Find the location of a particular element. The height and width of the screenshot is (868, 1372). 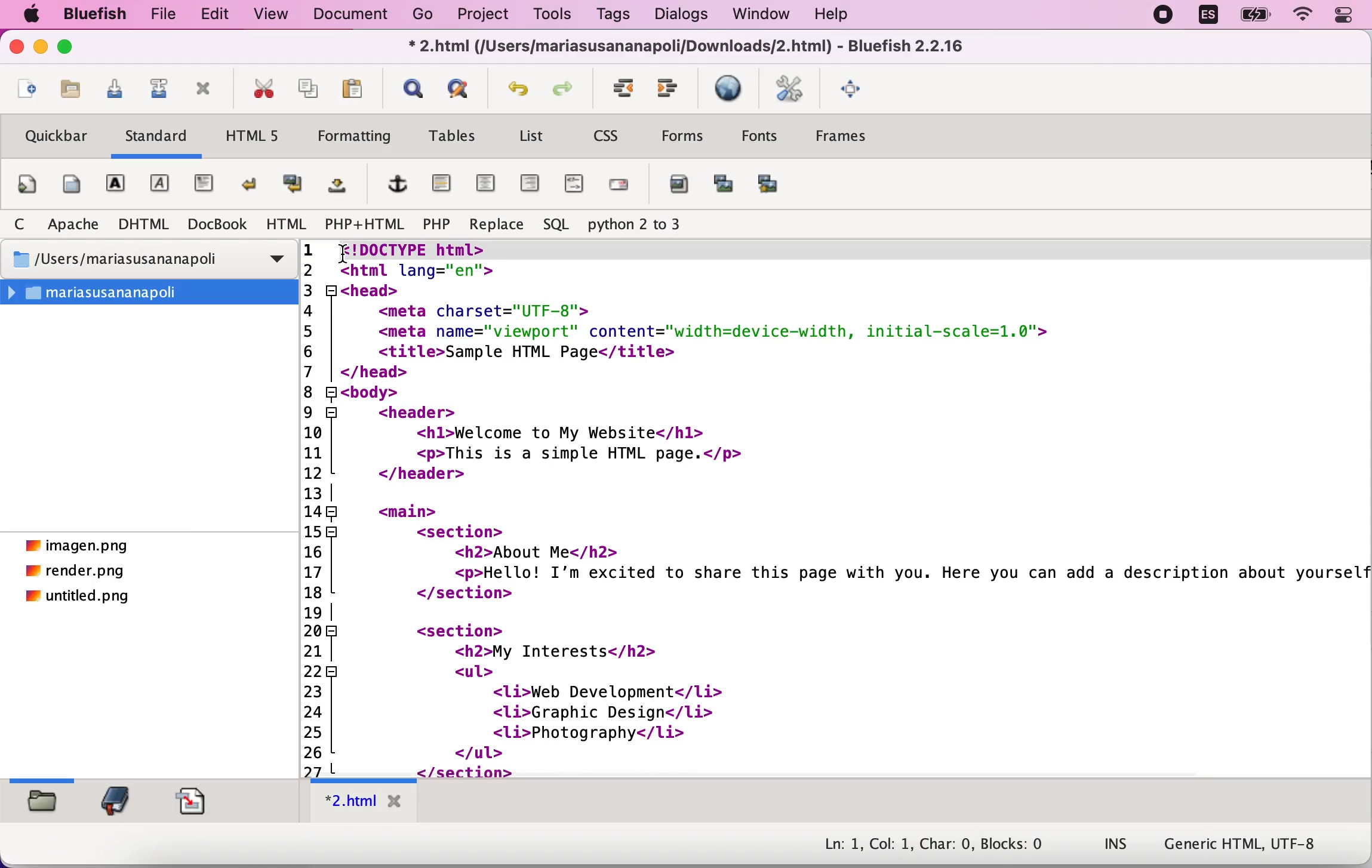

cut is located at coordinates (260, 87).